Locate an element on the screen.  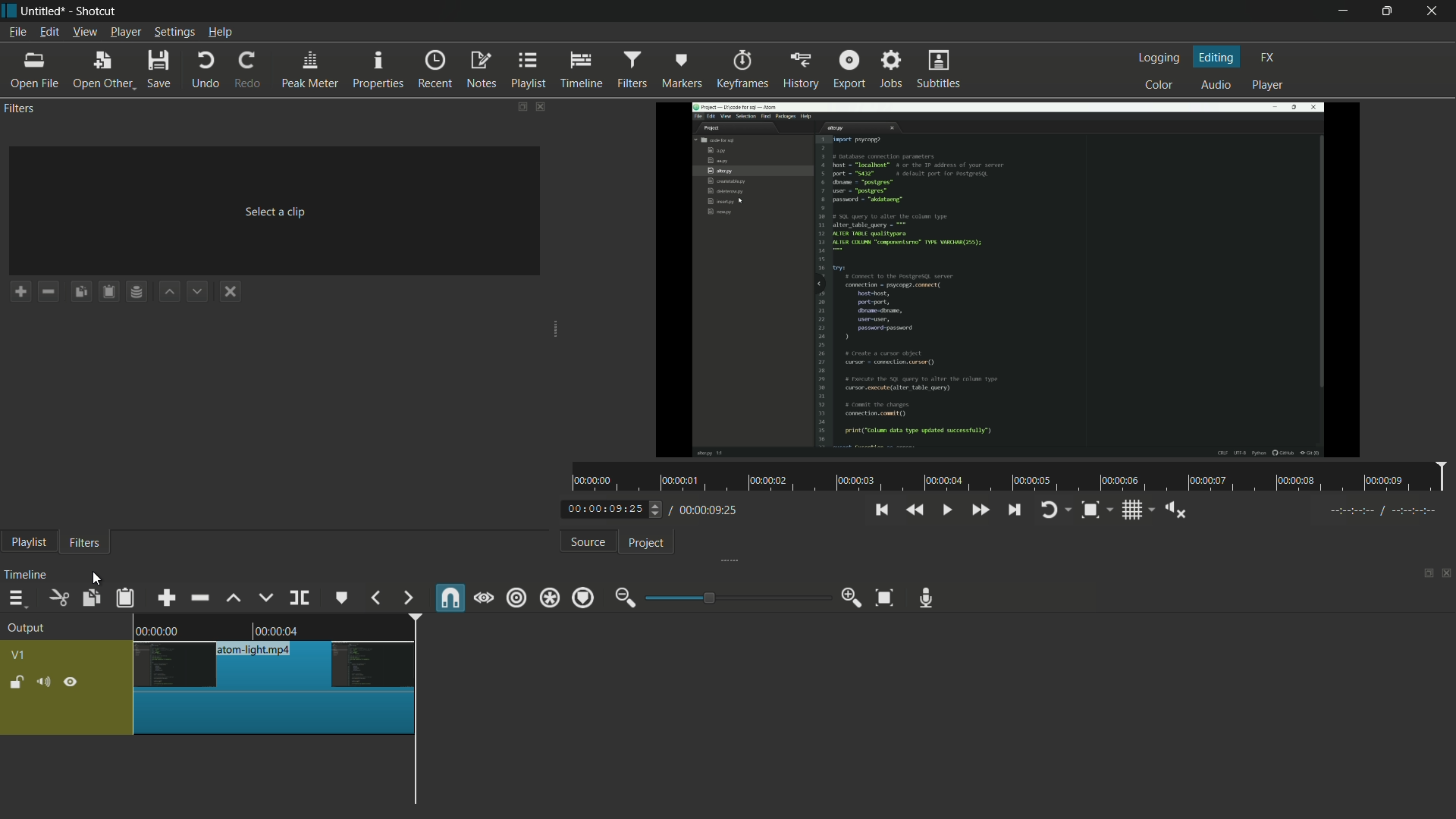
record audio is located at coordinates (930, 598).